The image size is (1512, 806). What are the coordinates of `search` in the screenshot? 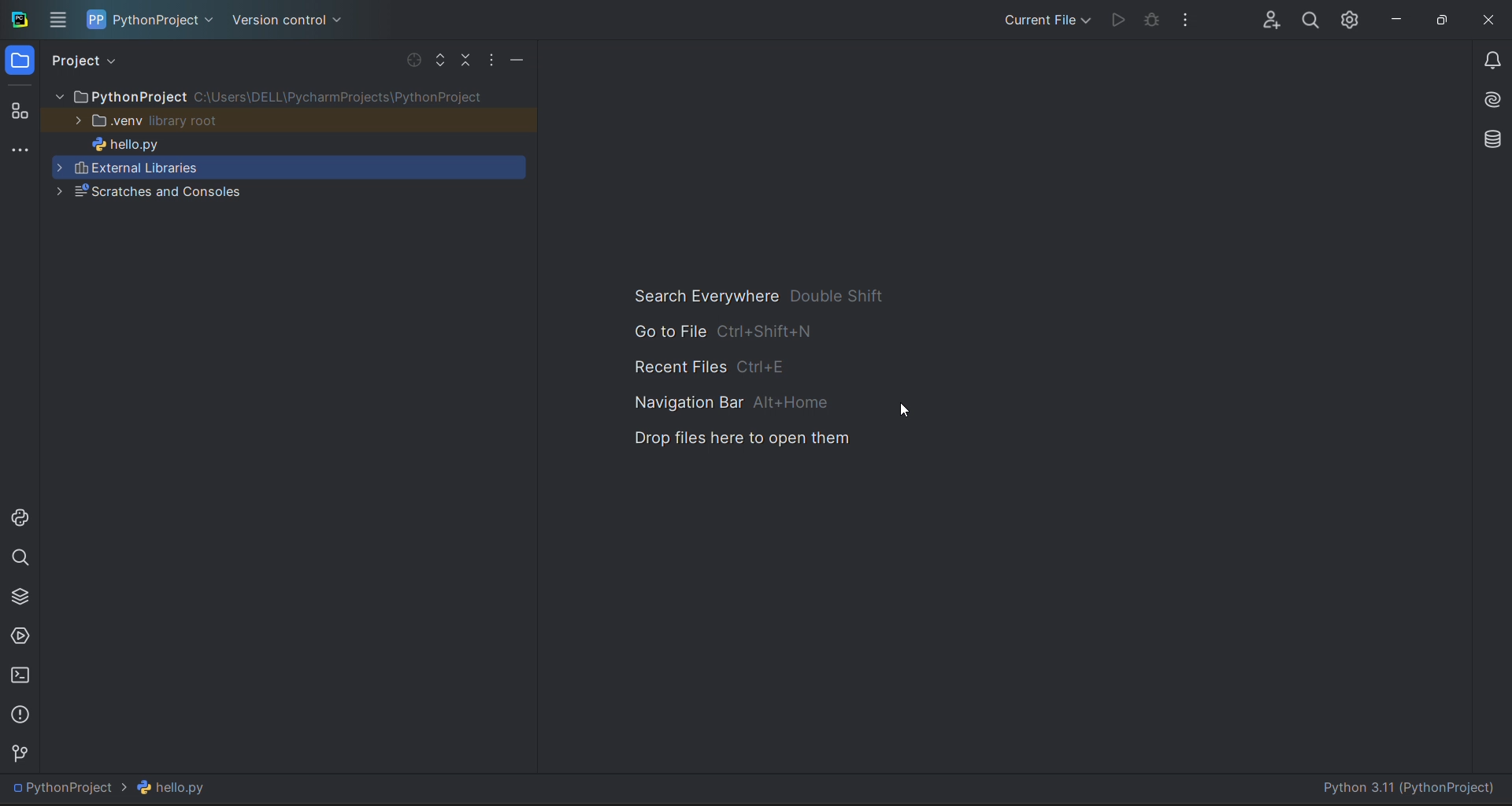 It's located at (20, 557).